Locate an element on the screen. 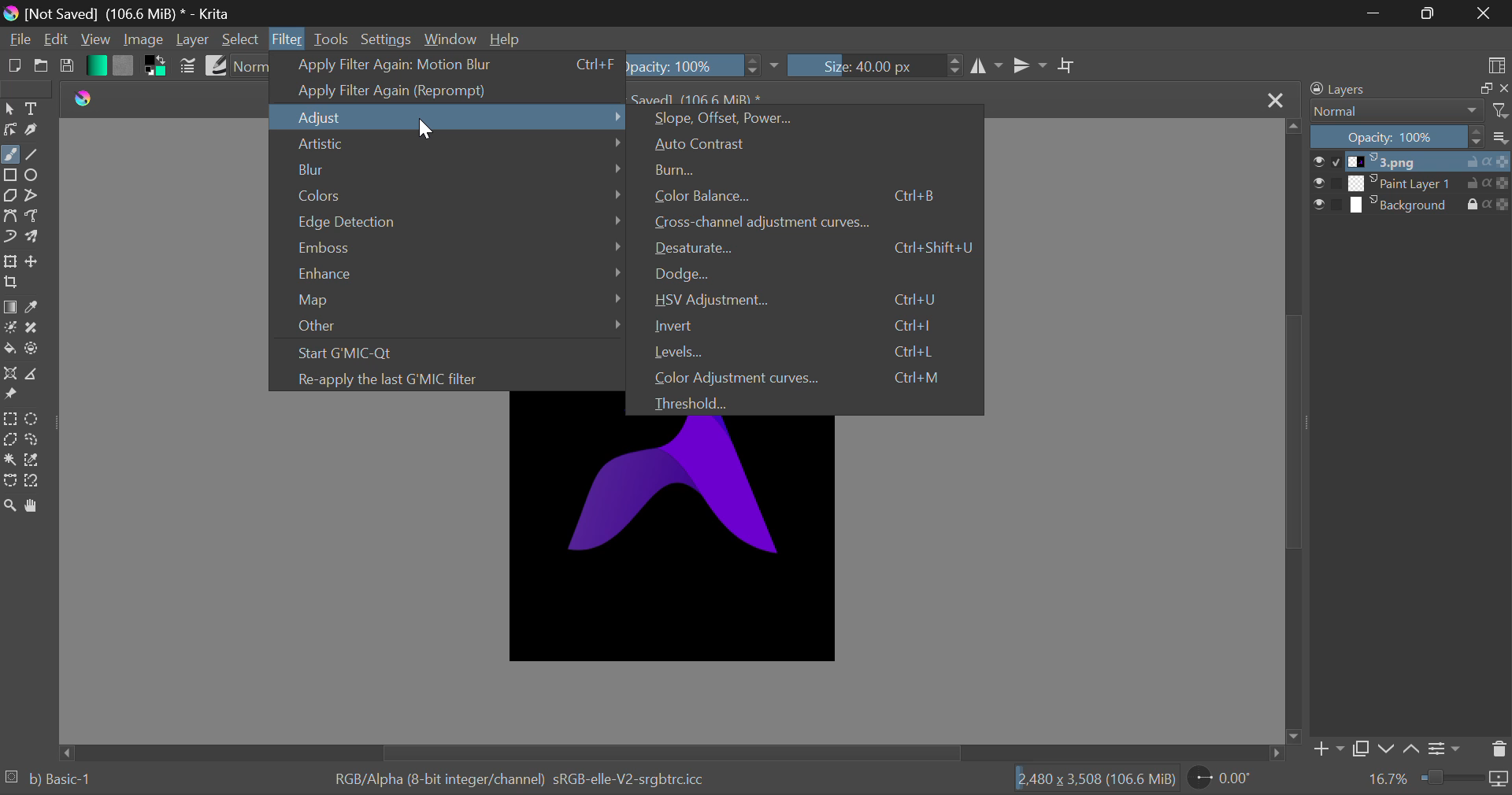 The width and height of the screenshot is (1512, 795). Restore Down is located at coordinates (1375, 13).